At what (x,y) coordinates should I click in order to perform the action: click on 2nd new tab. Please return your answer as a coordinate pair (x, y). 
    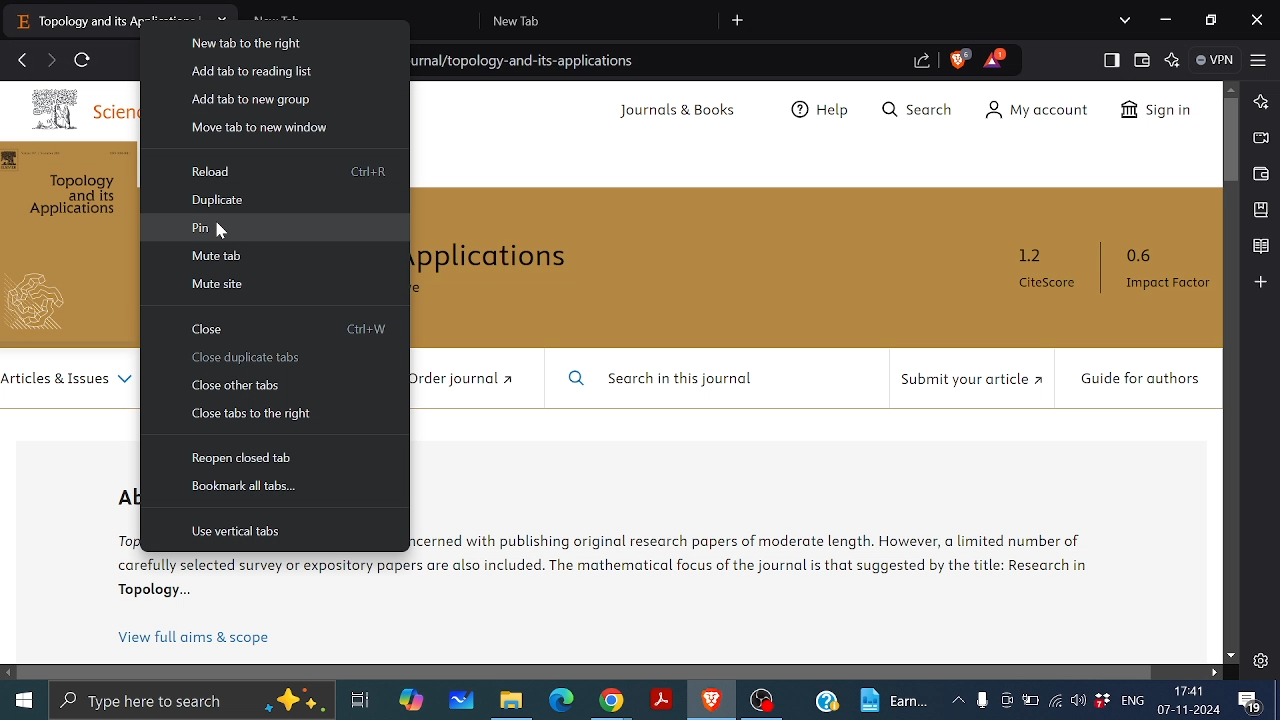
    Looking at the image, I should click on (601, 19).